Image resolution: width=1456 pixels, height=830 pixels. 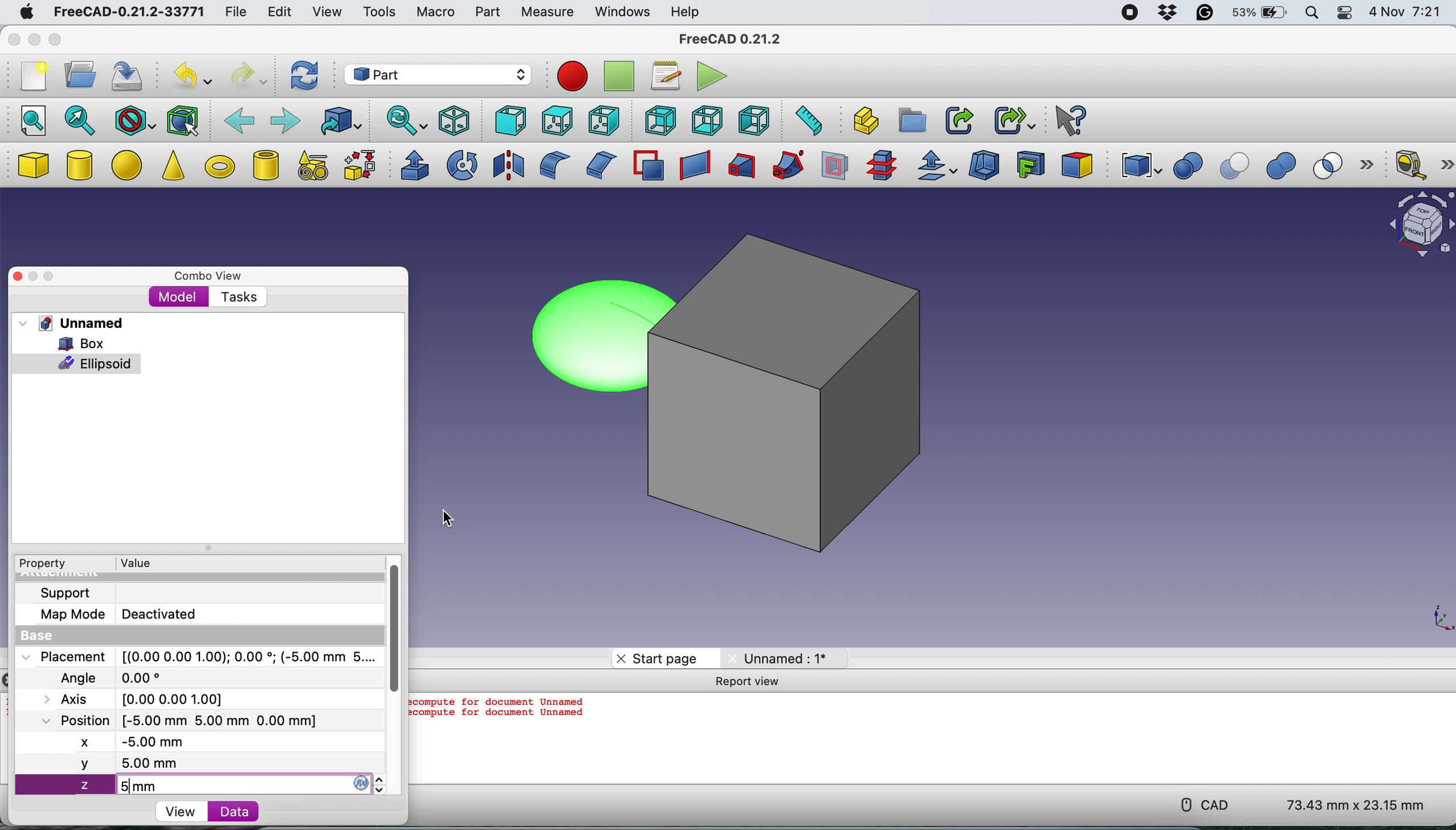 What do you see at coordinates (32, 636) in the screenshot?
I see `base` at bounding box center [32, 636].